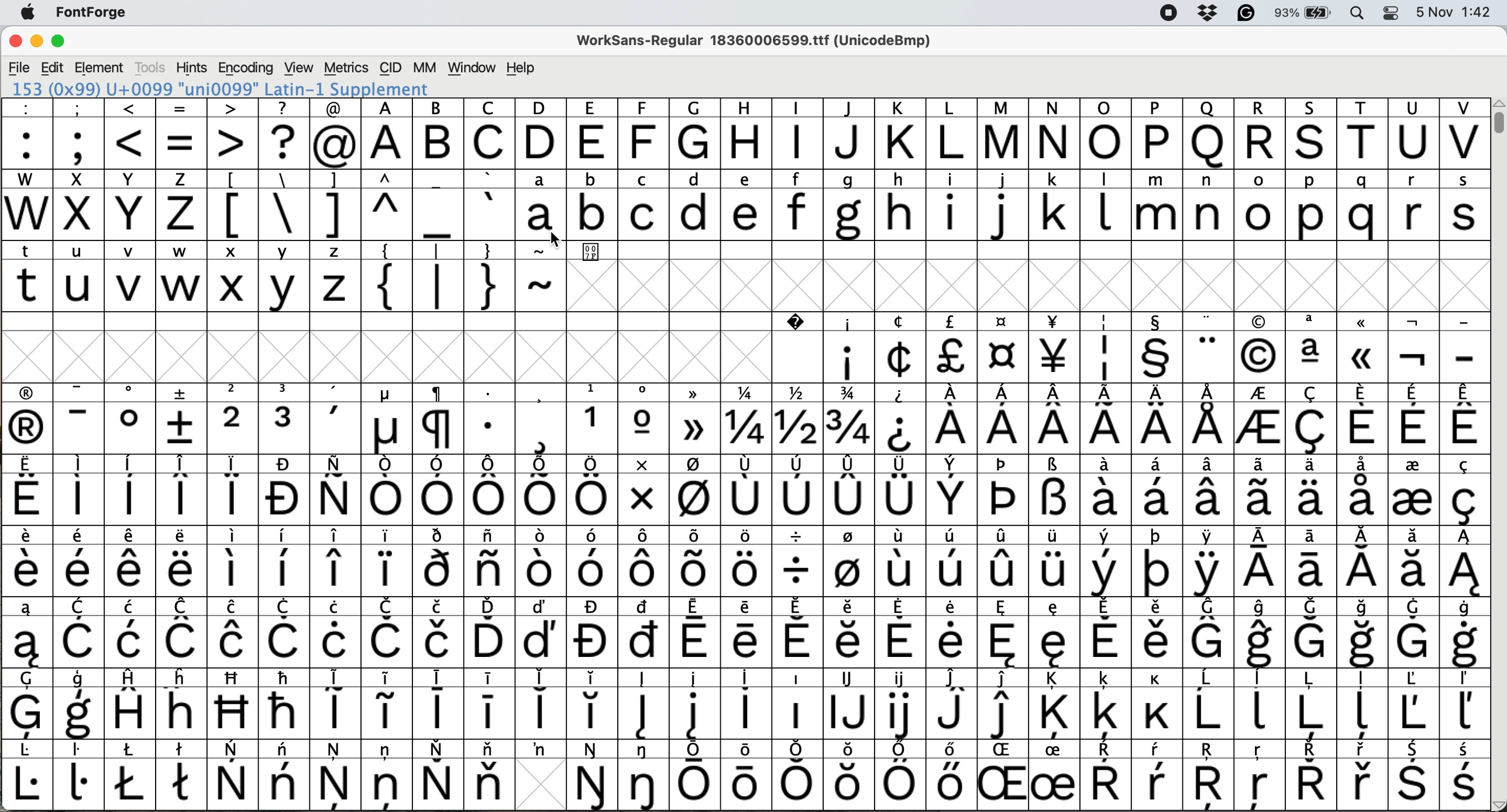  Describe the element at coordinates (336, 562) in the screenshot. I see `symbol` at that location.